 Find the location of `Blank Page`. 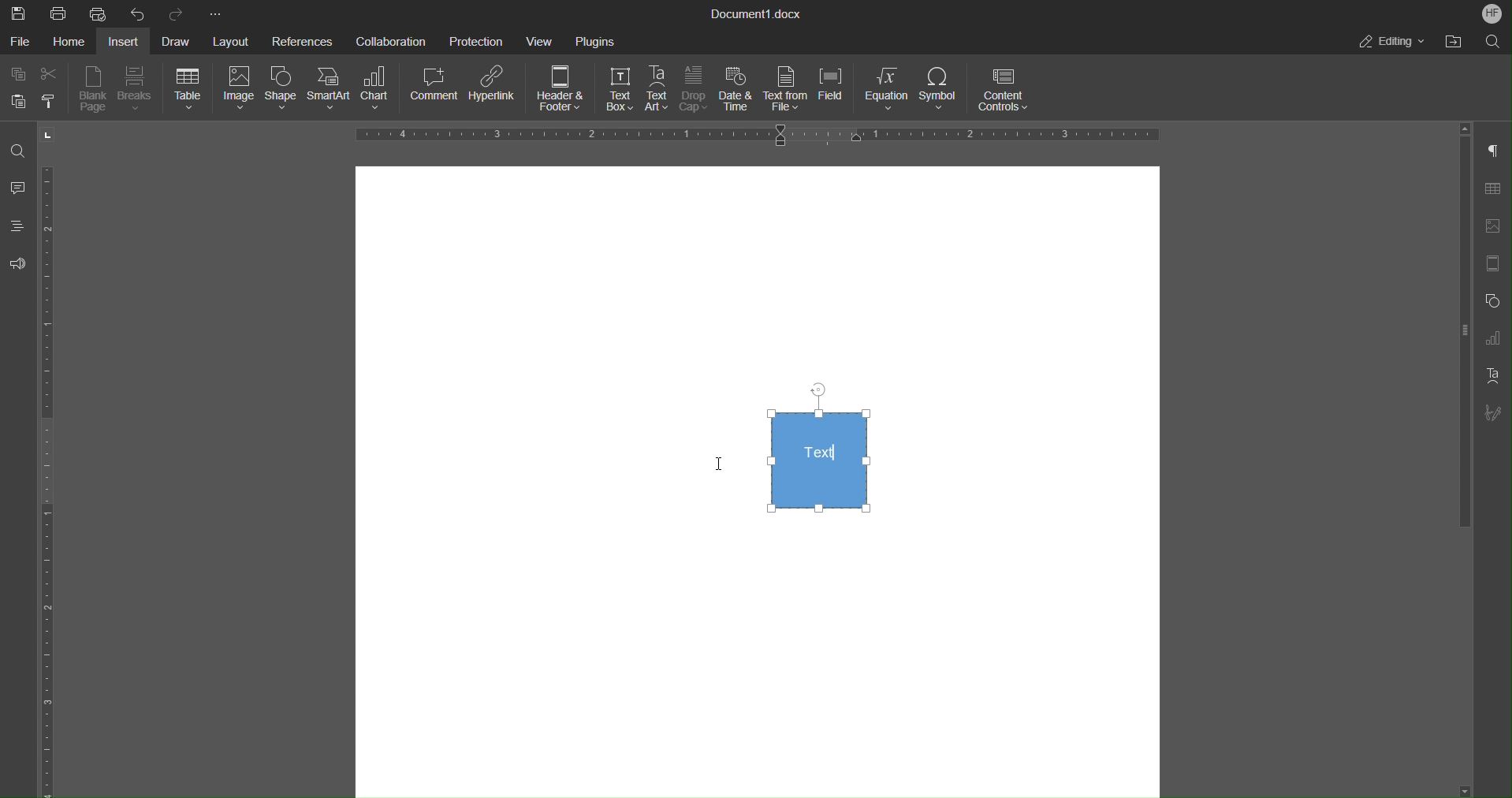

Blank Page is located at coordinates (95, 91).